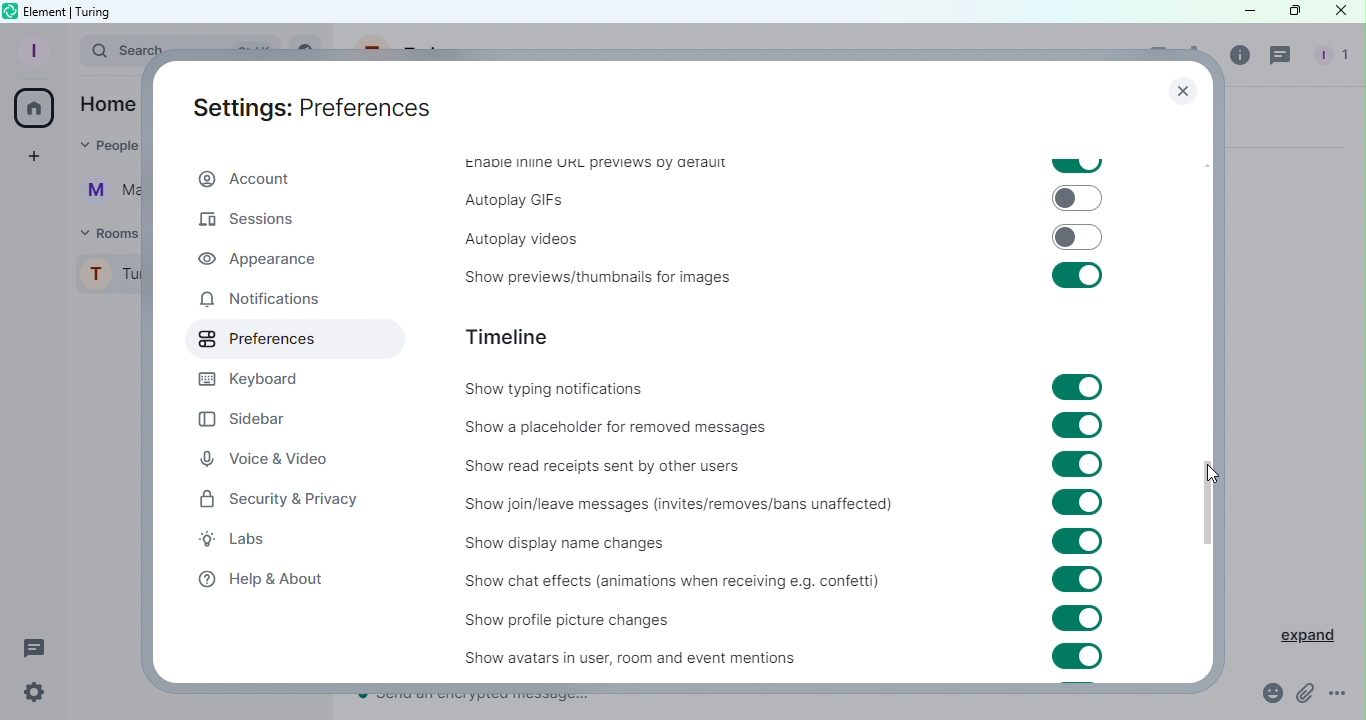 The height and width of the screenshot is (720, 1366). What do you see at coordinates (515, 200) in the screenshot?
I see `Autoplay GIFs` at bounding box center [515, 200].